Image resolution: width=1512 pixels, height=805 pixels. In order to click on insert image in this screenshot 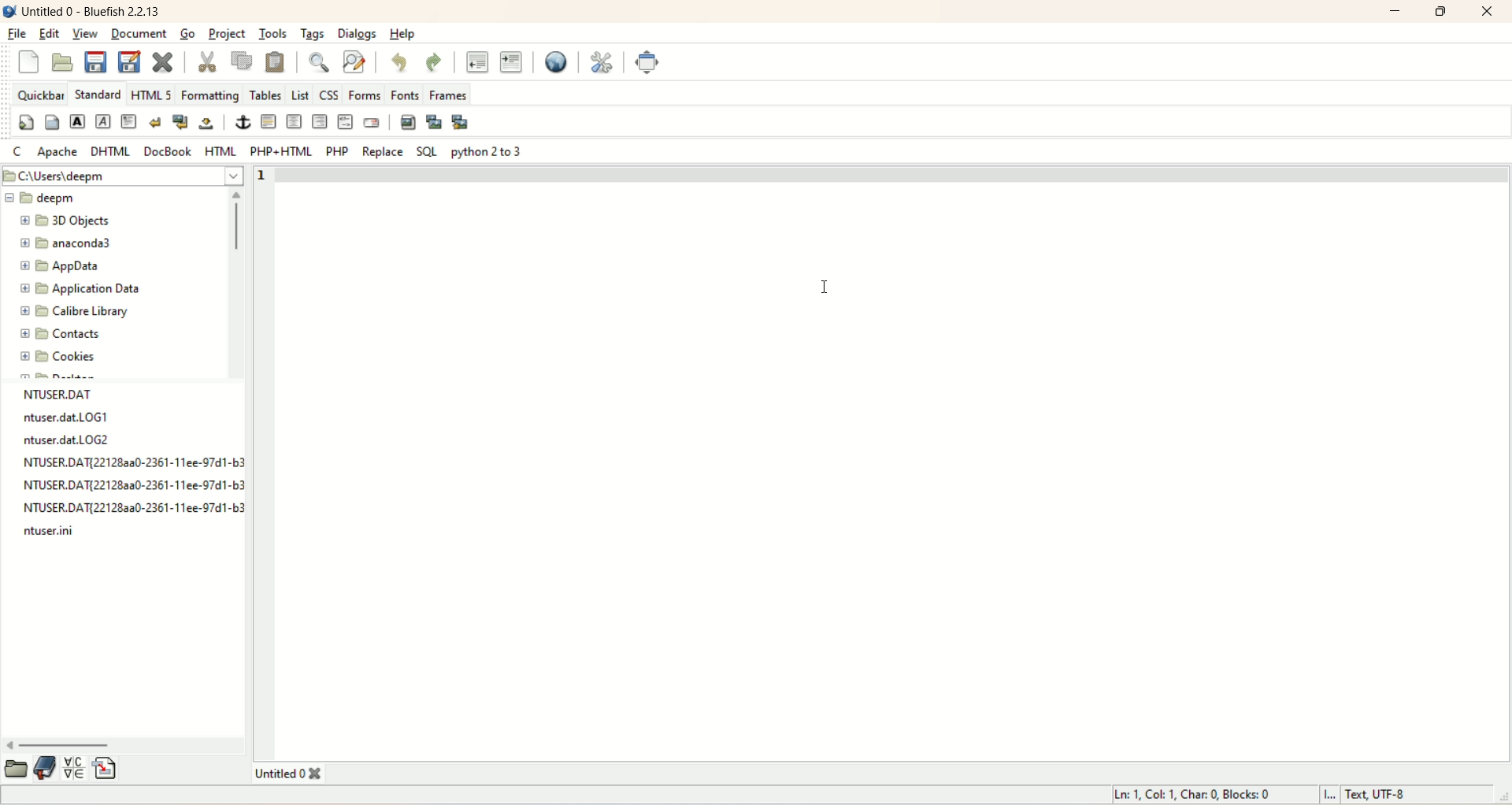, I will do `click(408, 121)`.